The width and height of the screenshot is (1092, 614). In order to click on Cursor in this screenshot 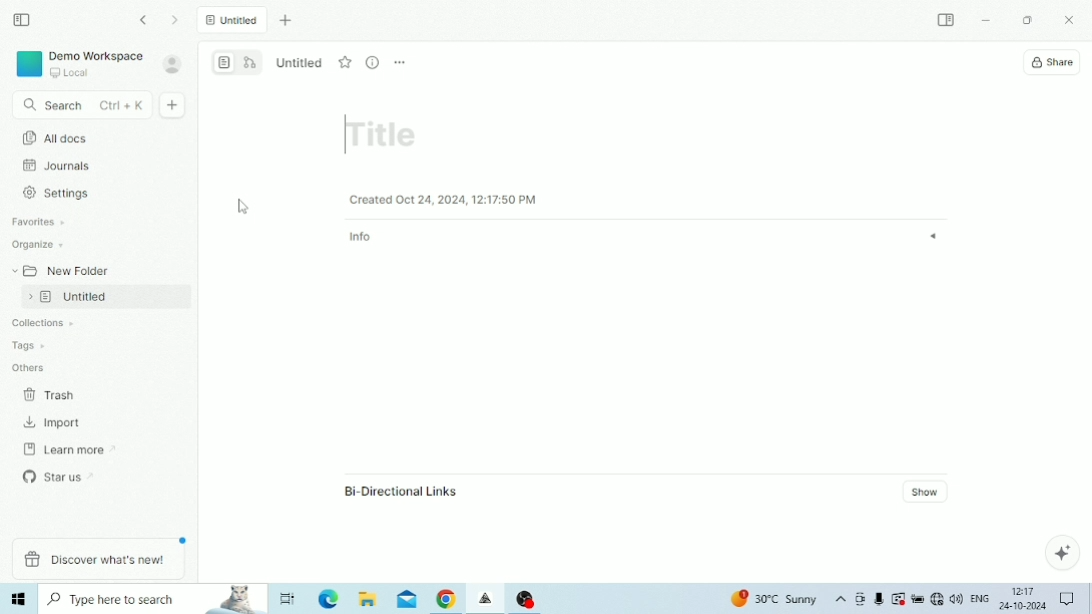, I will do `click(245, 209)`.